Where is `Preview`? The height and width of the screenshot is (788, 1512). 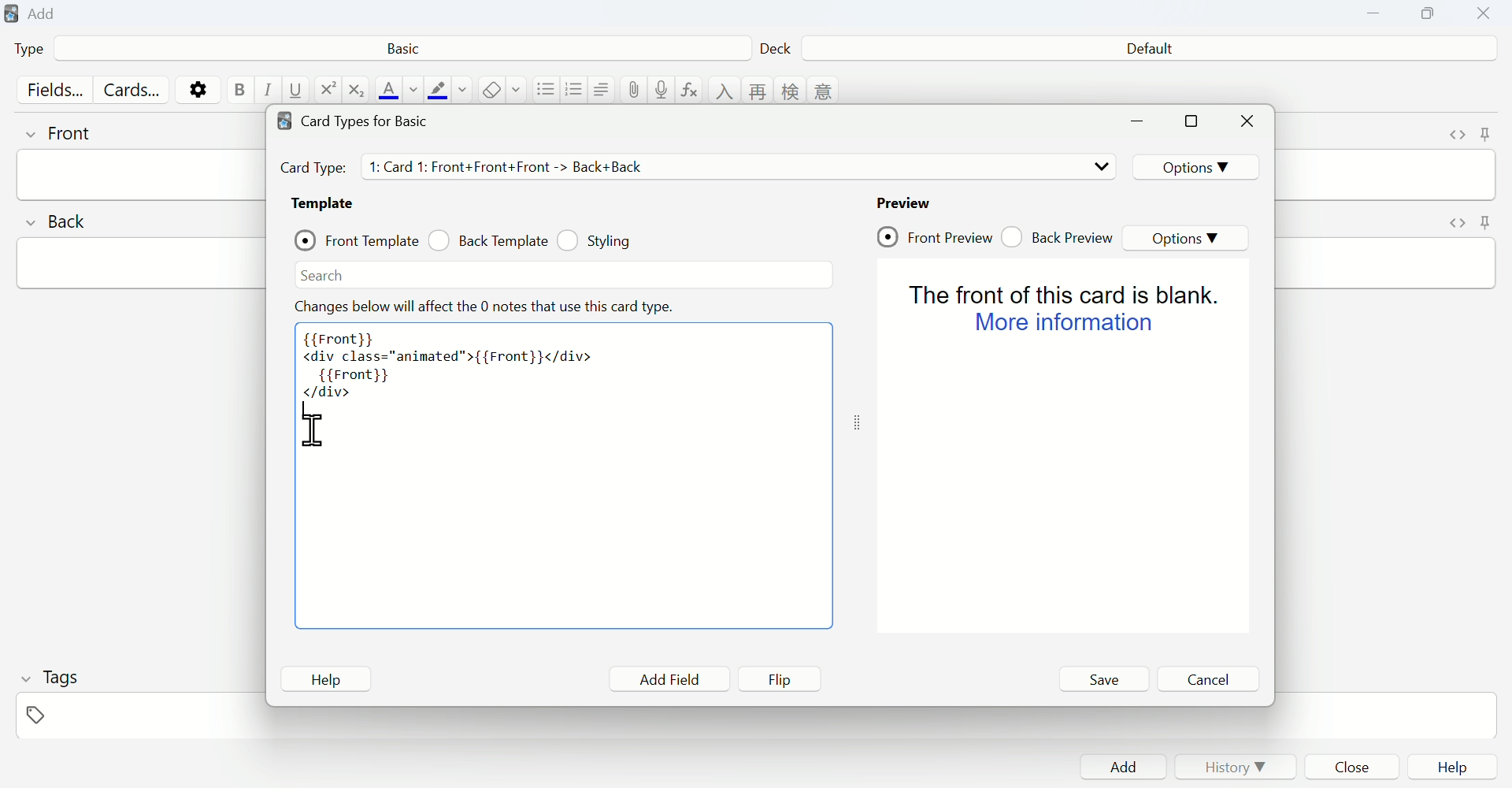 Preview is located at coordinates (905, 203).